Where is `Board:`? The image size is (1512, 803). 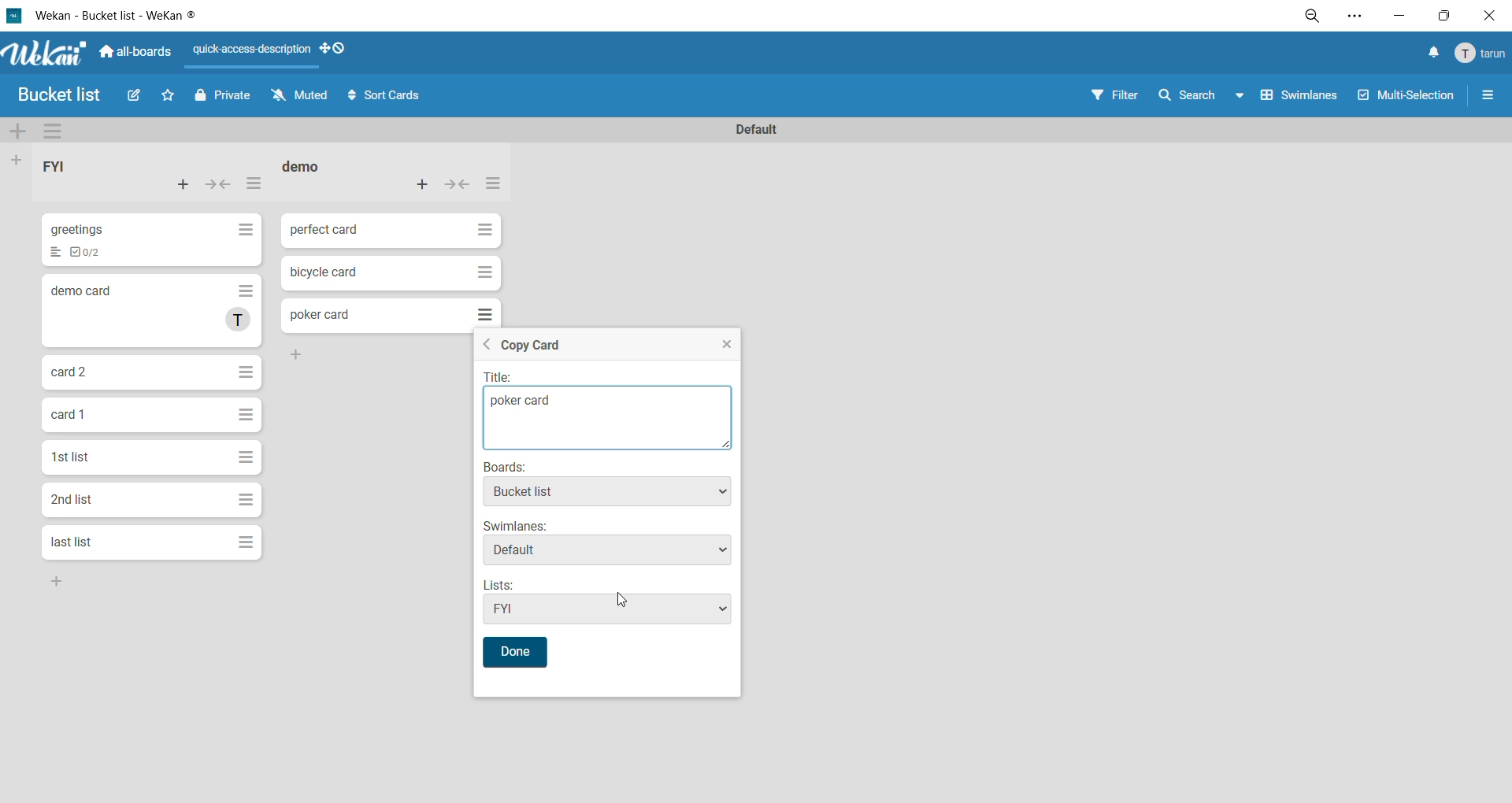
Board: is located at coordinates (517, 467).